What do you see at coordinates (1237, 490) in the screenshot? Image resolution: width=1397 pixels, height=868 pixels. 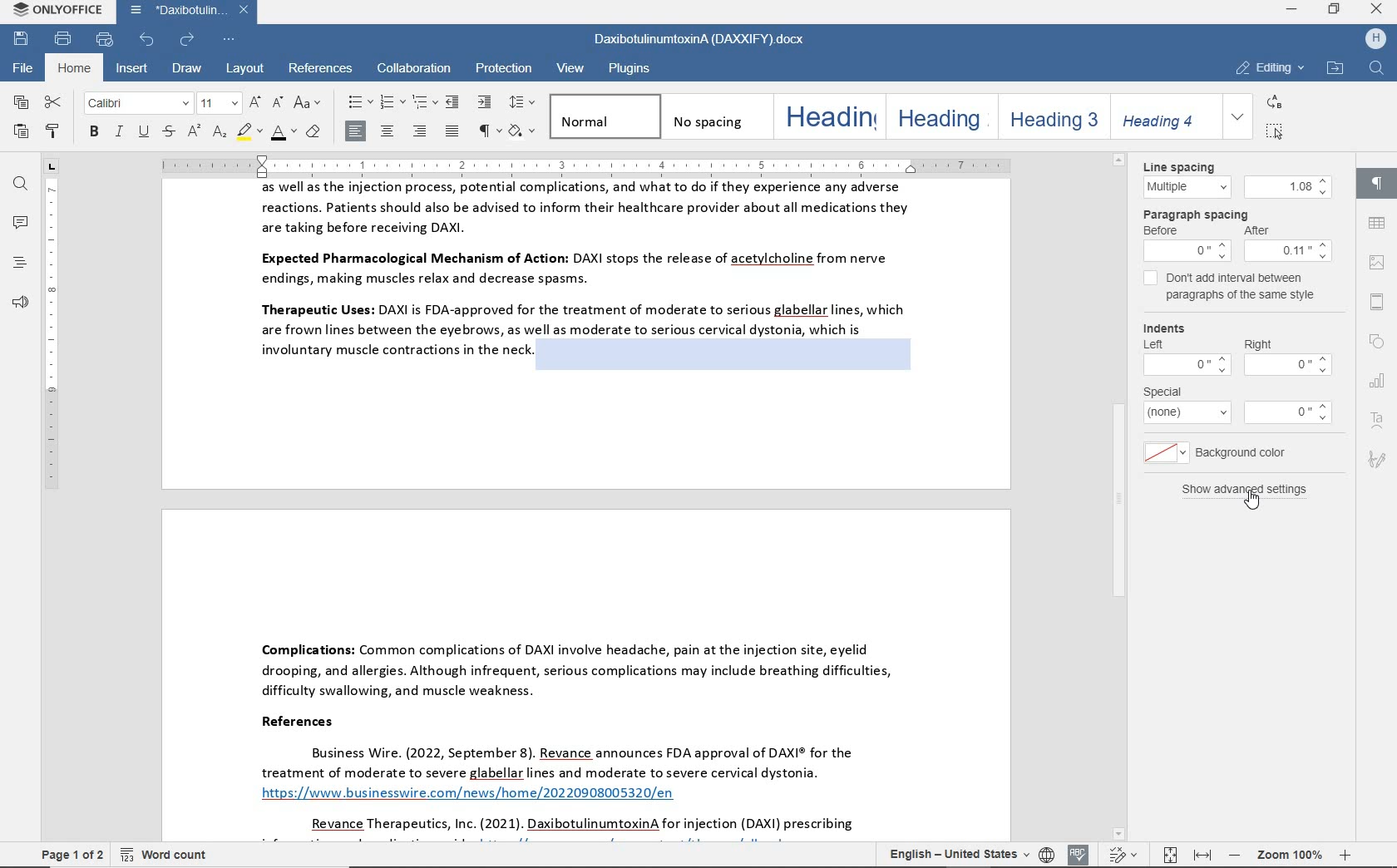 I see `show advanced settings` at bounding box center [1237, 490].